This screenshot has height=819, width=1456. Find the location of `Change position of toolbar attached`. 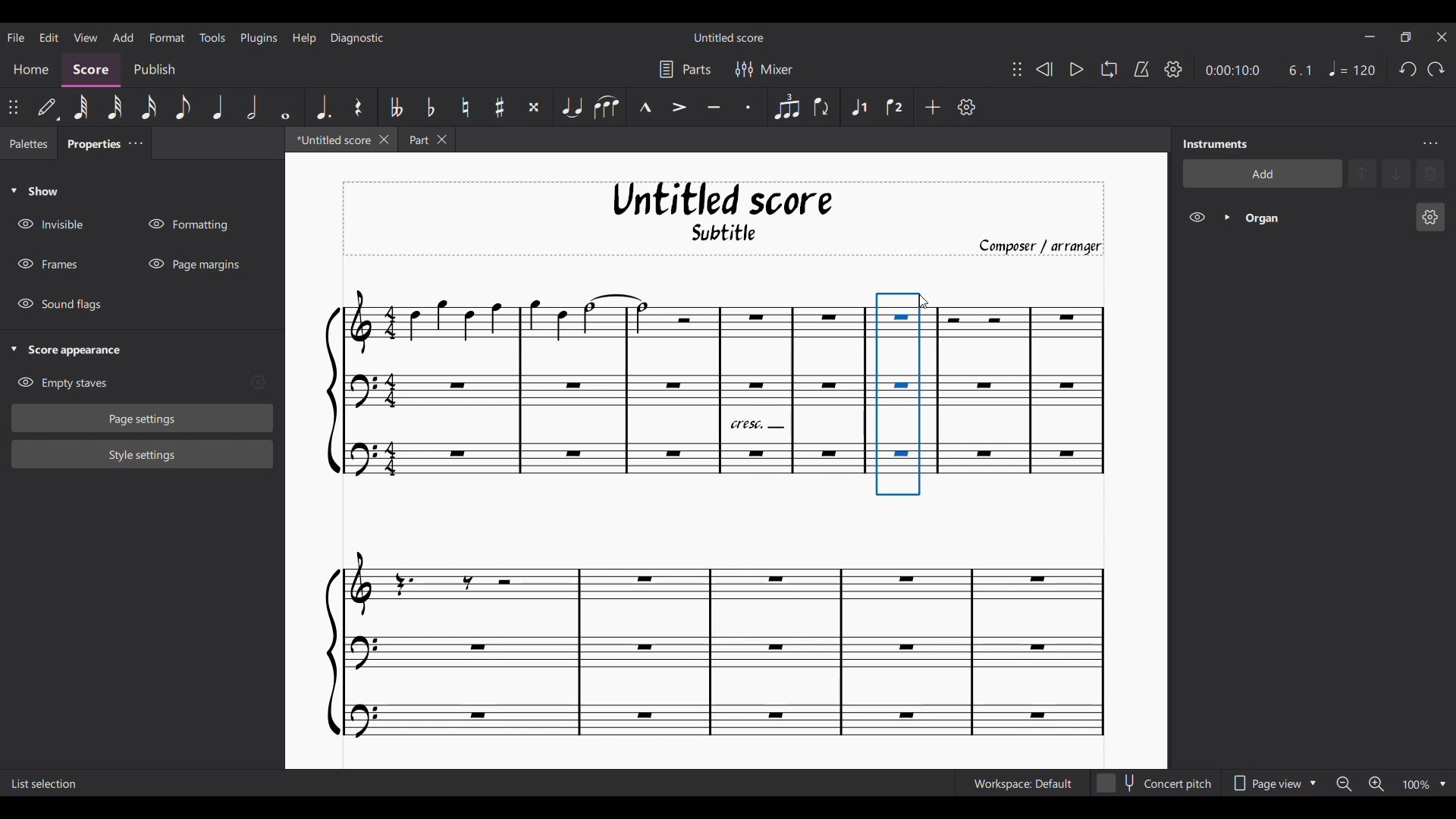

Change position of toolbar attached is located at coordinates (1017, 70).